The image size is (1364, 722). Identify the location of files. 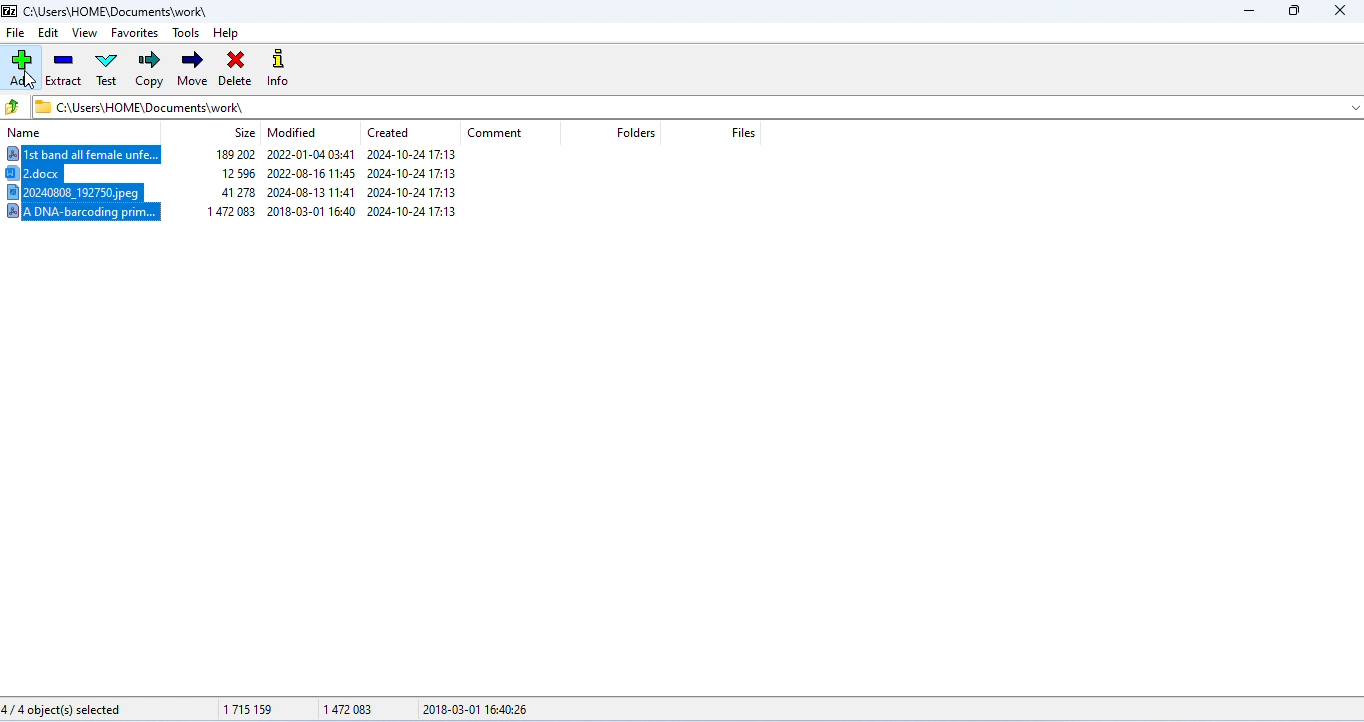
(744, 133).